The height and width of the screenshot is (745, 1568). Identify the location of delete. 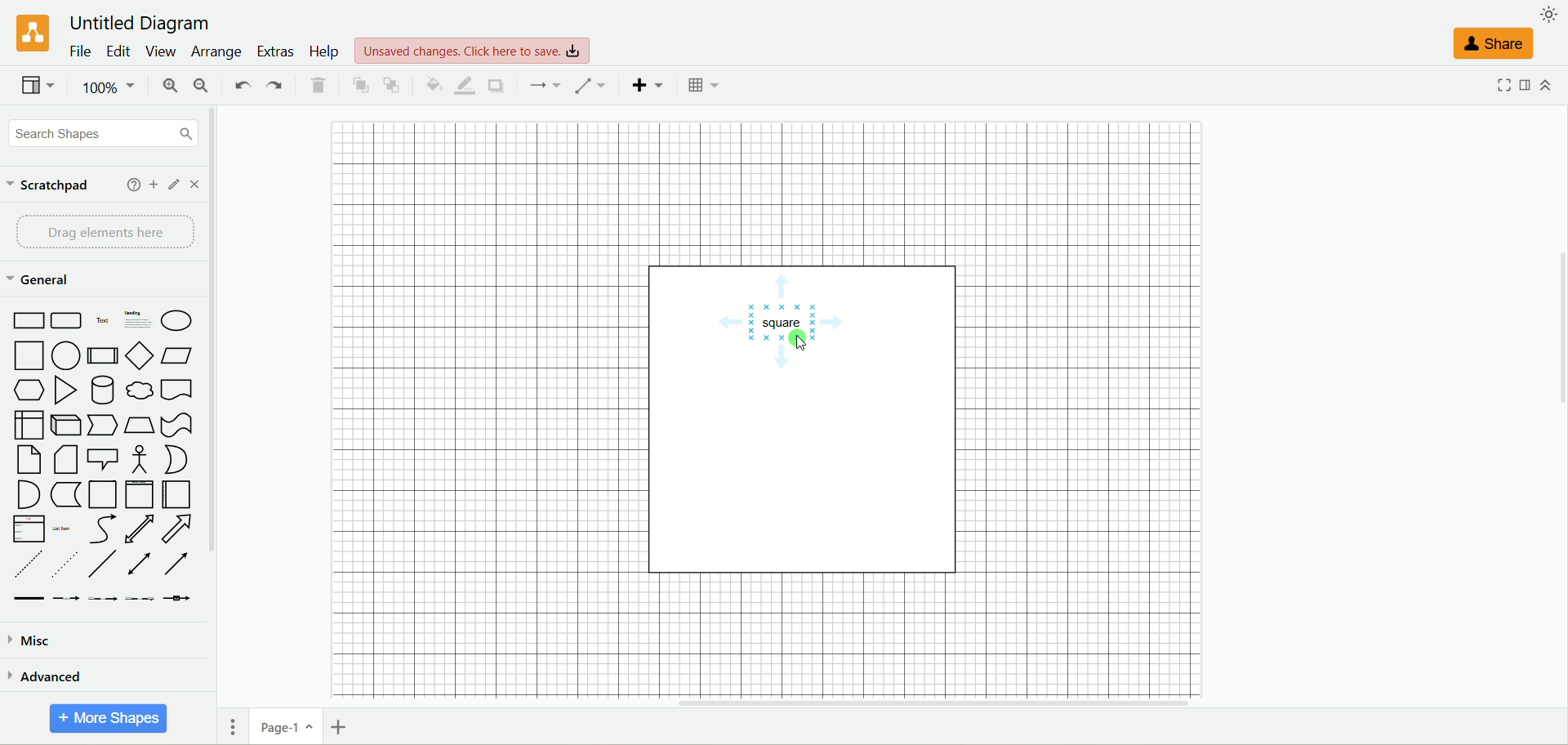
(319, 85).